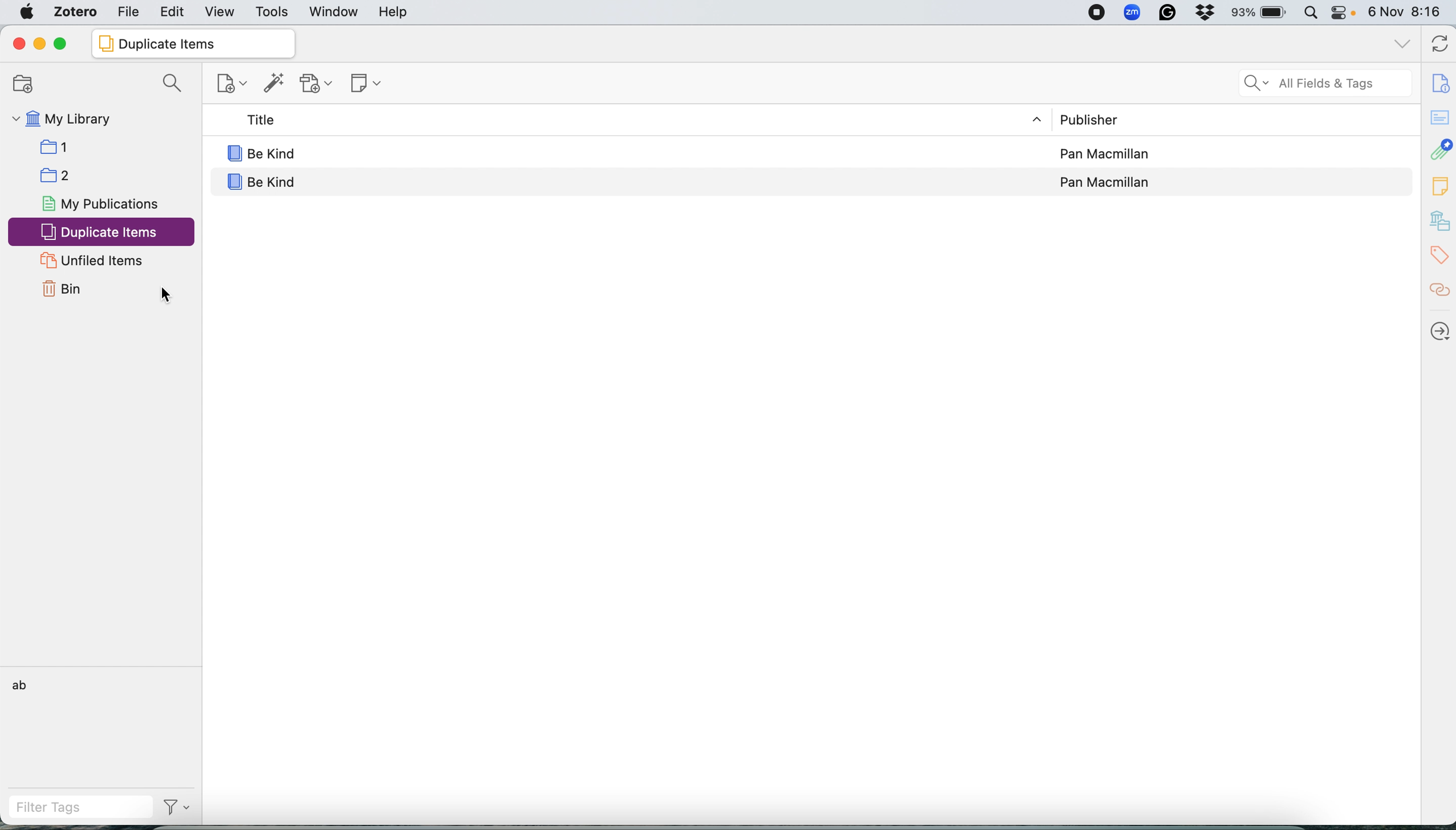 The image size is (1456, 830). I want to click on Pan Macmilan, so click(1104, 178).